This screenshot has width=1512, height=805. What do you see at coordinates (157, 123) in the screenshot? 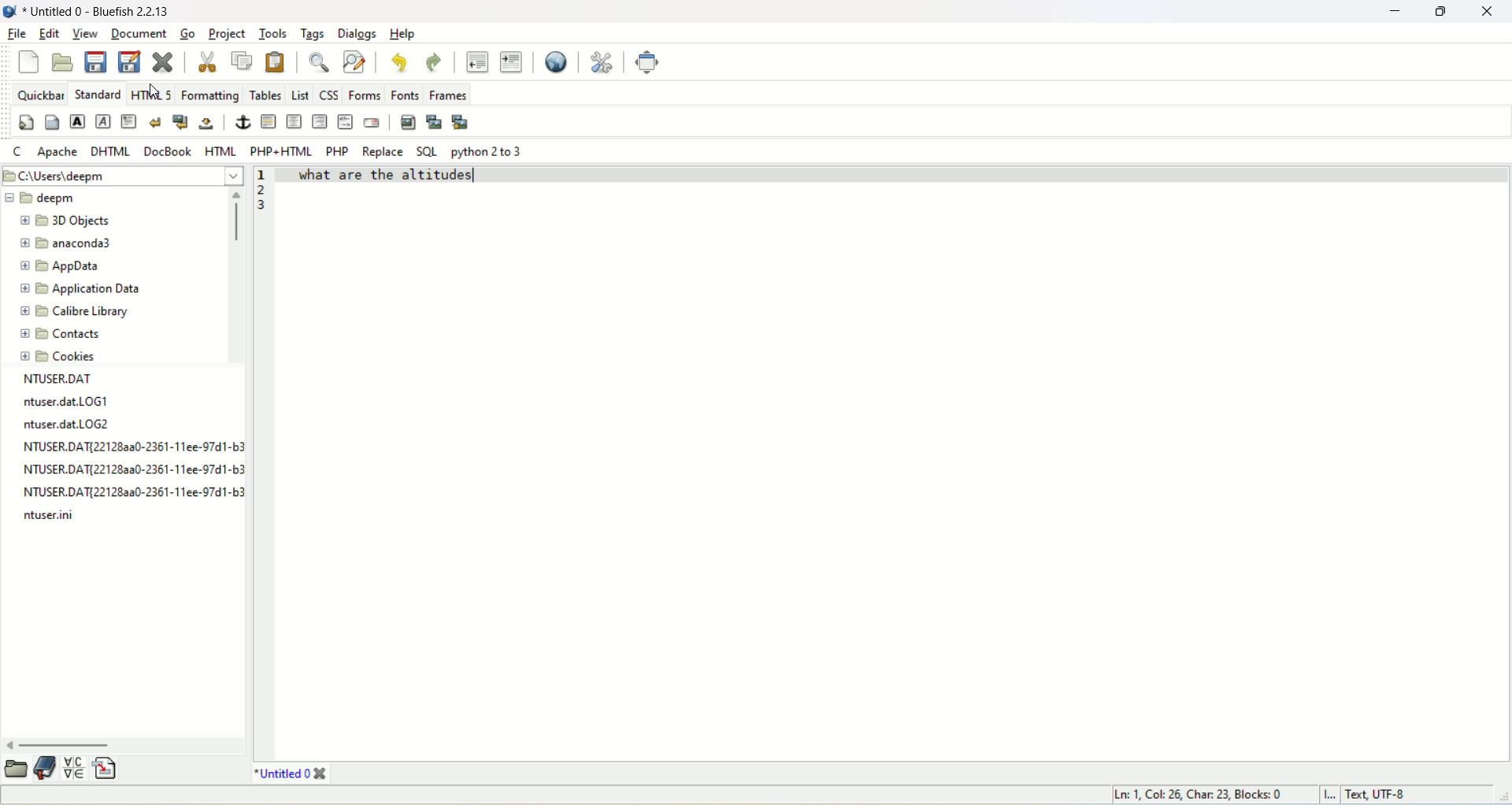
I see `break` at bounding box center [157, 123].